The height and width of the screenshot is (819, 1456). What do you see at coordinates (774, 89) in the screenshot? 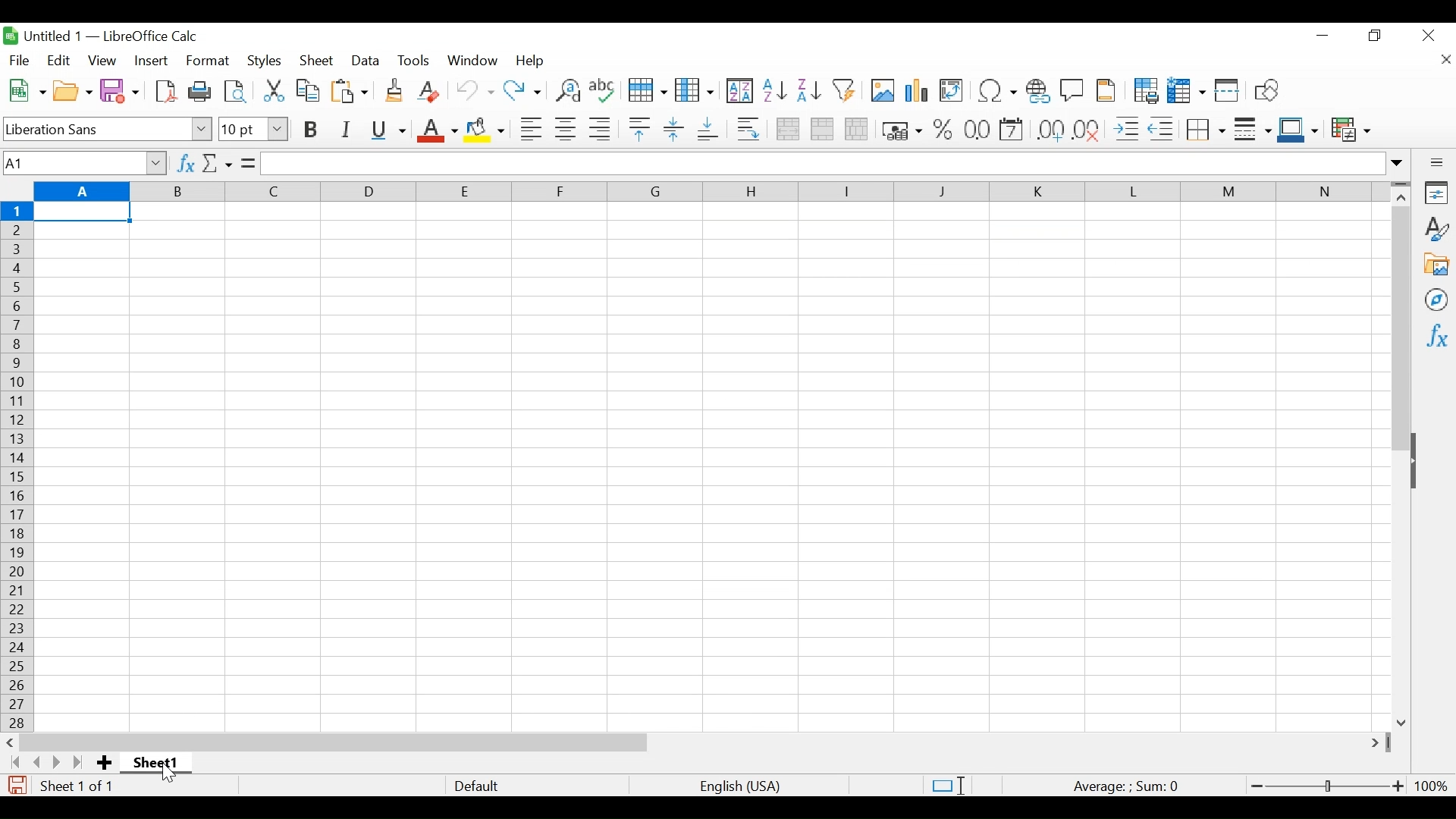
I see `Sort Ascending` at bounding box center [774, 89].